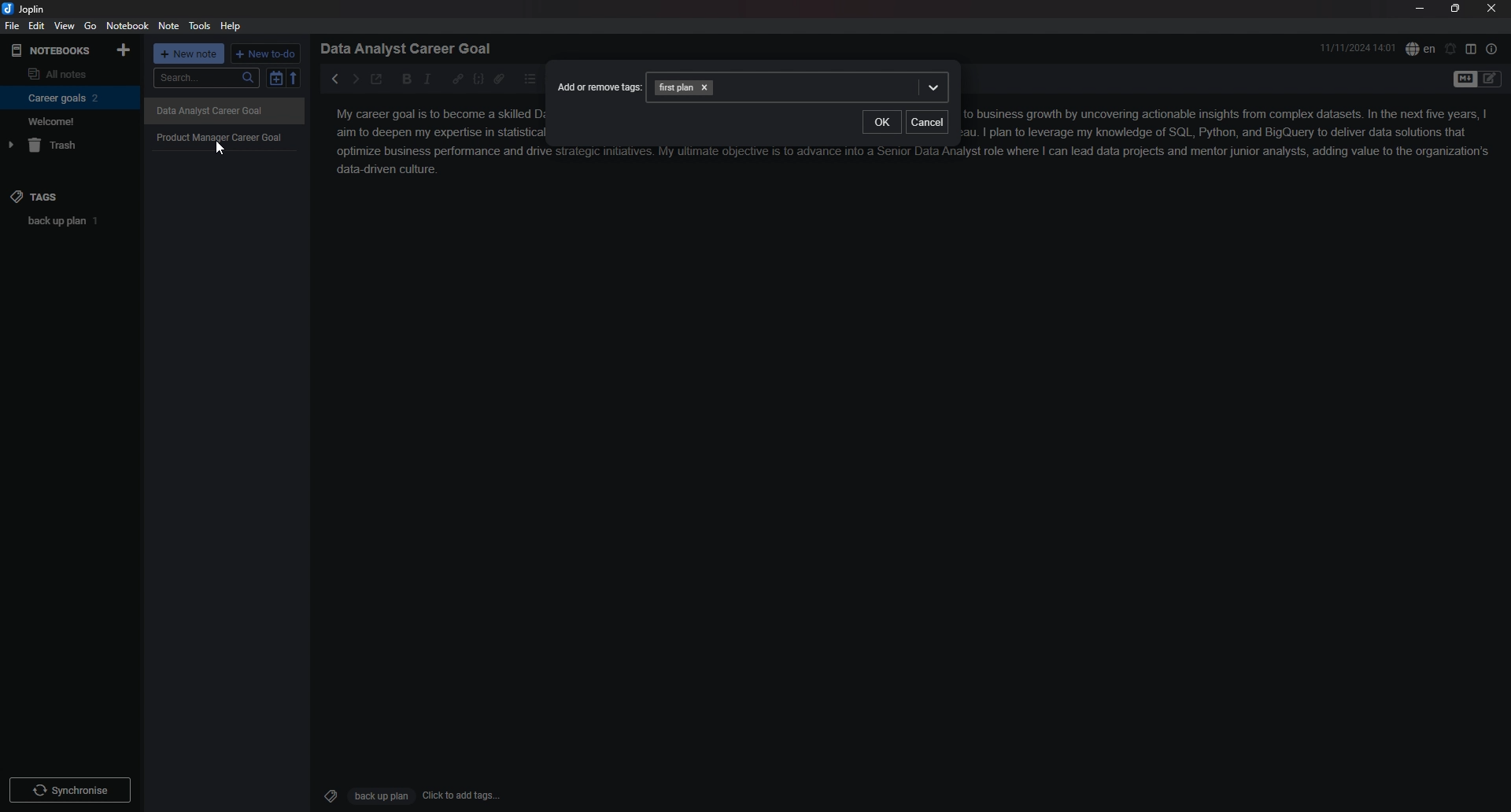  I want to click on note, so click(170, 25).